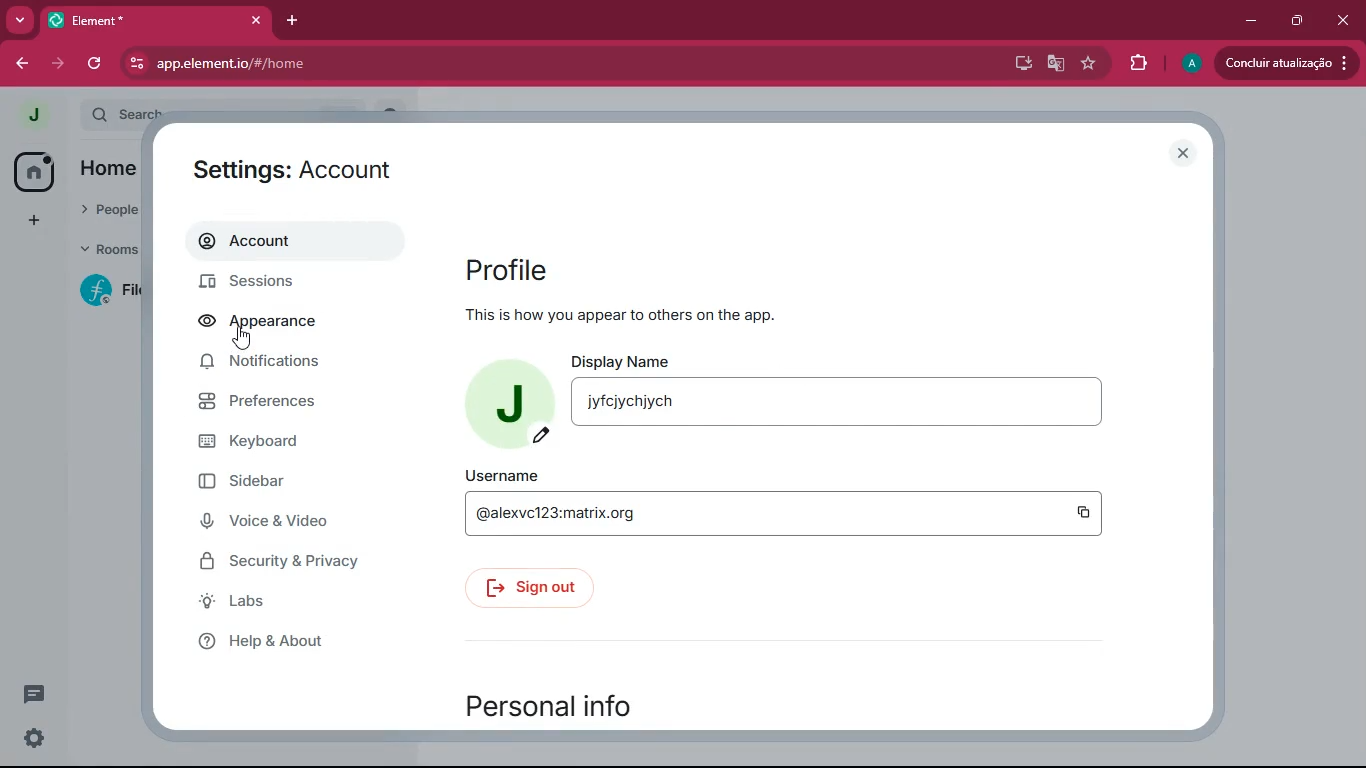 The width and height of the screenshot is (1366, 768). Describe the element at coordinates (296, 170) in the screenshot. I see `Settings: Account` at that location.